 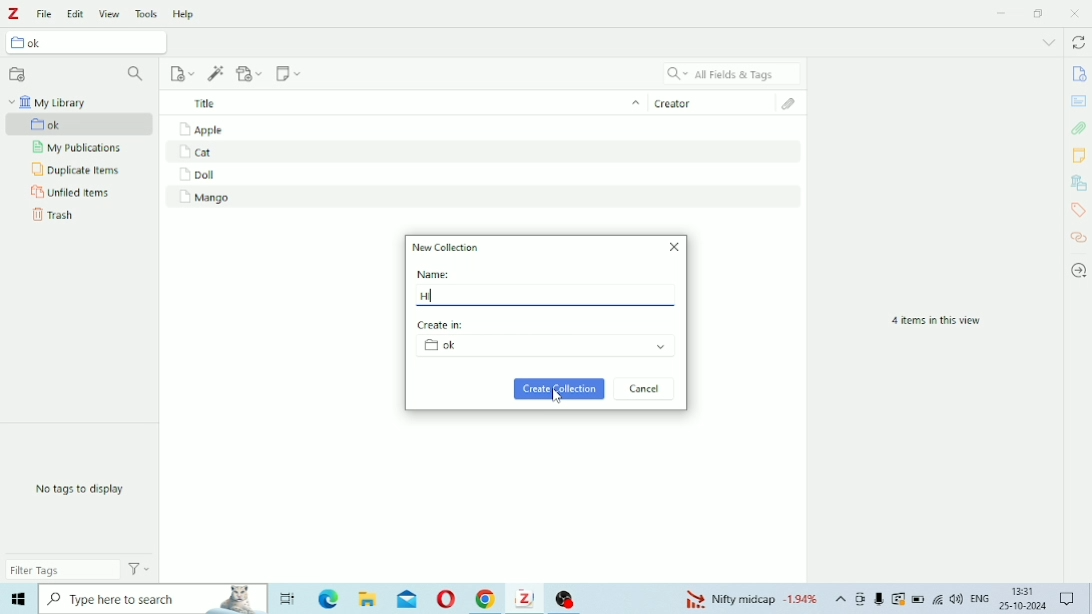 What do you see at coordinates (443, 325) in the screenshot?
I see `Create in:` at bounding box center [443, 325].